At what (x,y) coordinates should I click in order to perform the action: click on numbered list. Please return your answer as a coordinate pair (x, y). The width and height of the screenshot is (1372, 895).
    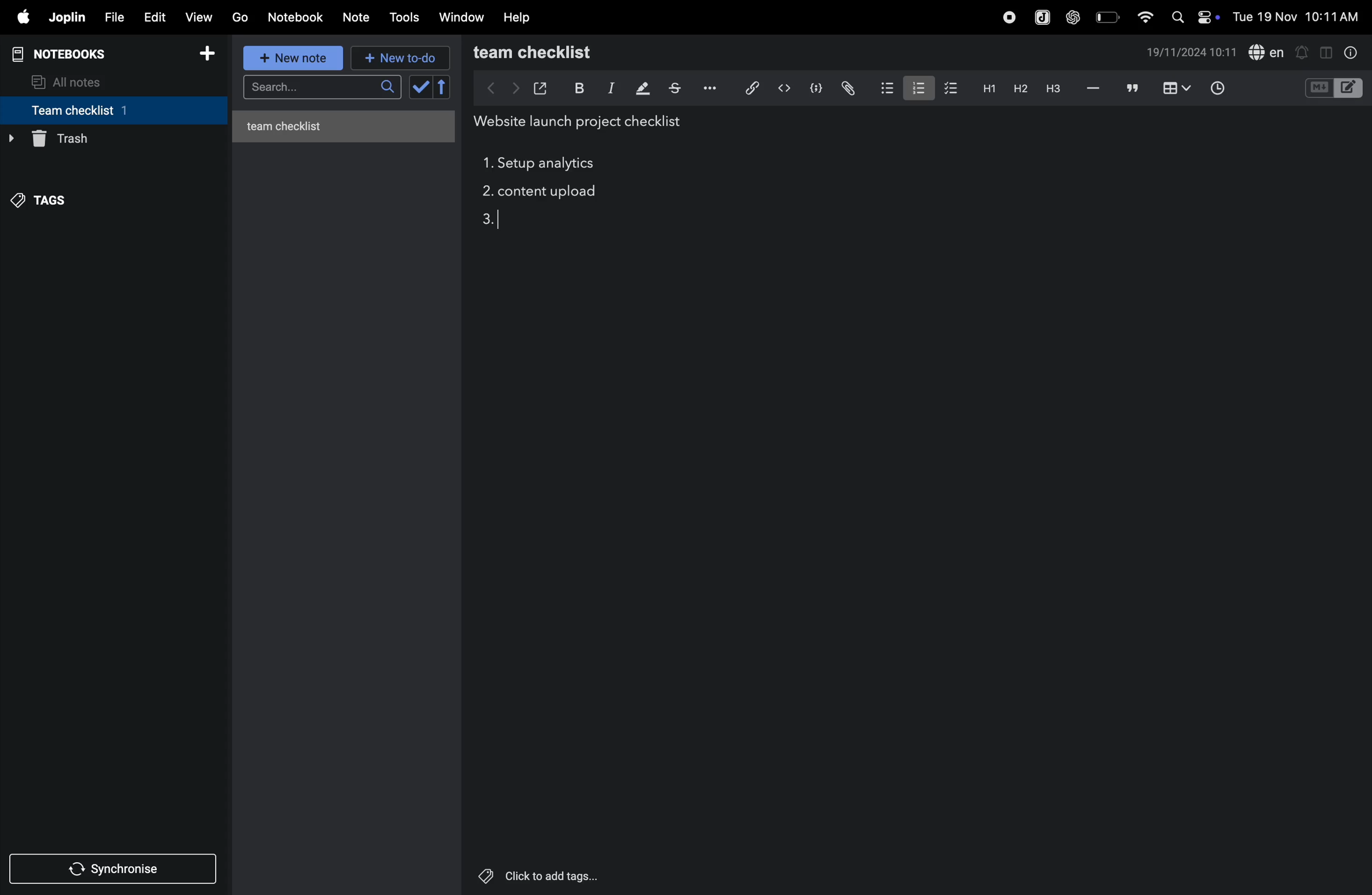
    Looking at the image, I should click on (916, 87).